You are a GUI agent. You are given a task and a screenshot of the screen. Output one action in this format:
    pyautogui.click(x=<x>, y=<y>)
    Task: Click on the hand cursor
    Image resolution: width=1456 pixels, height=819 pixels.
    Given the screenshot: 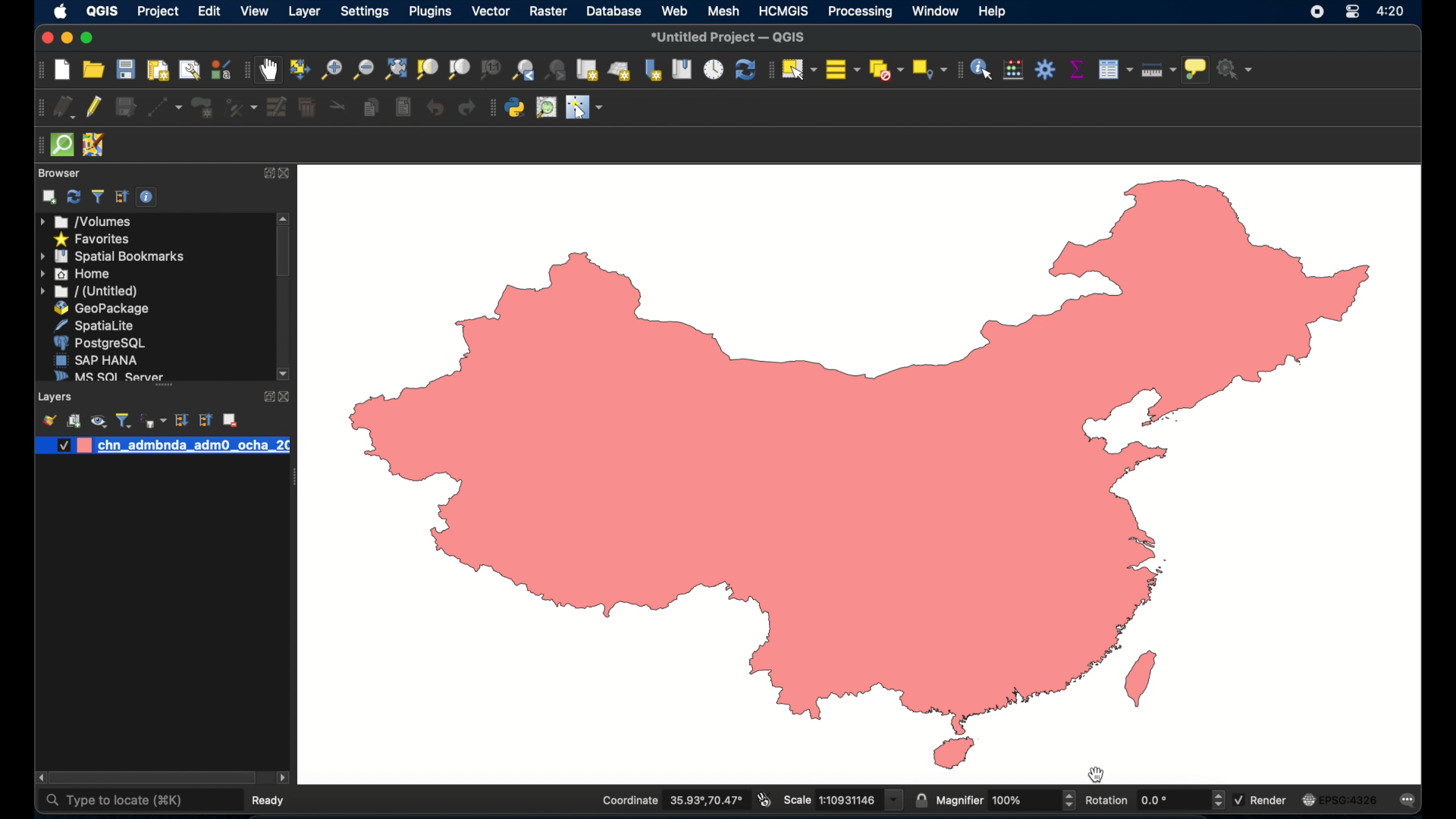 What is the action you would take?
    pyautogui.click(x=1097, y=773)
    